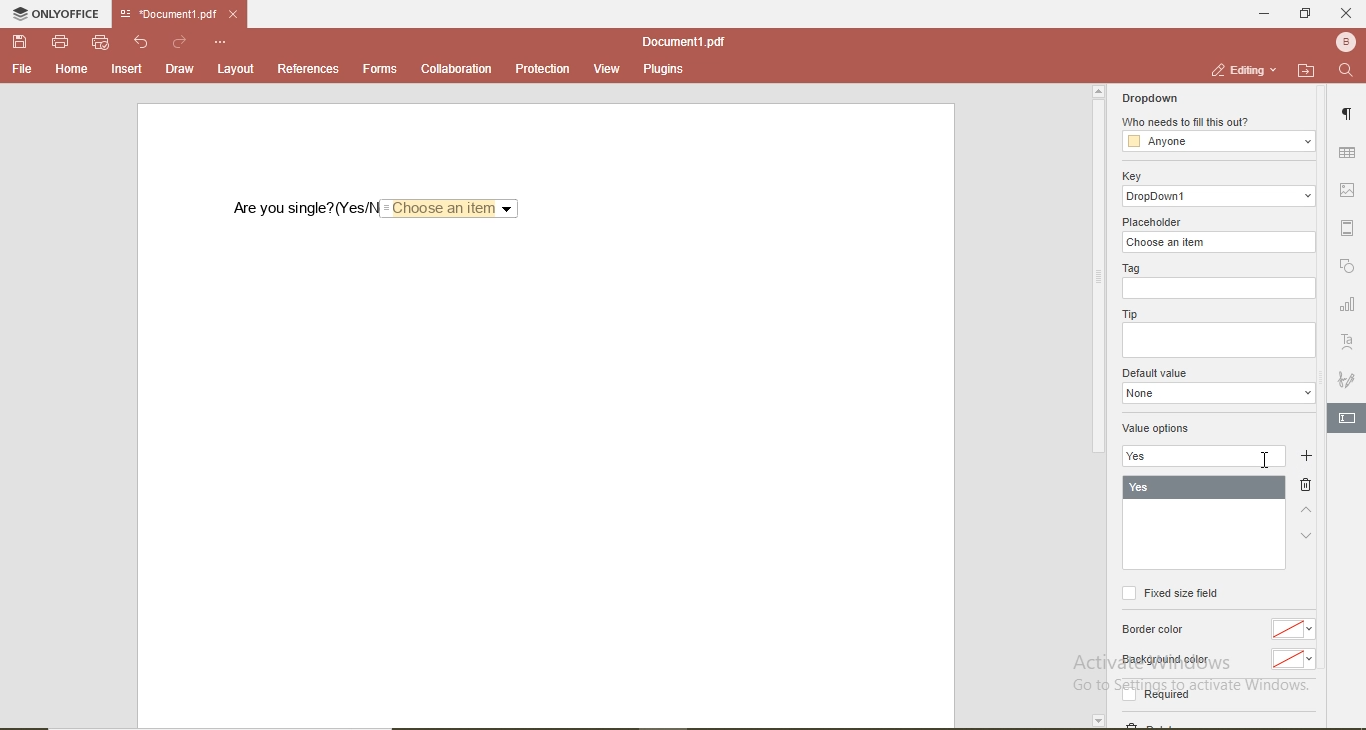 This screenshot has width=1366, height=730. Describe the element at coordinates (1350, 341) in the screenshot. I see `font style` at that location.